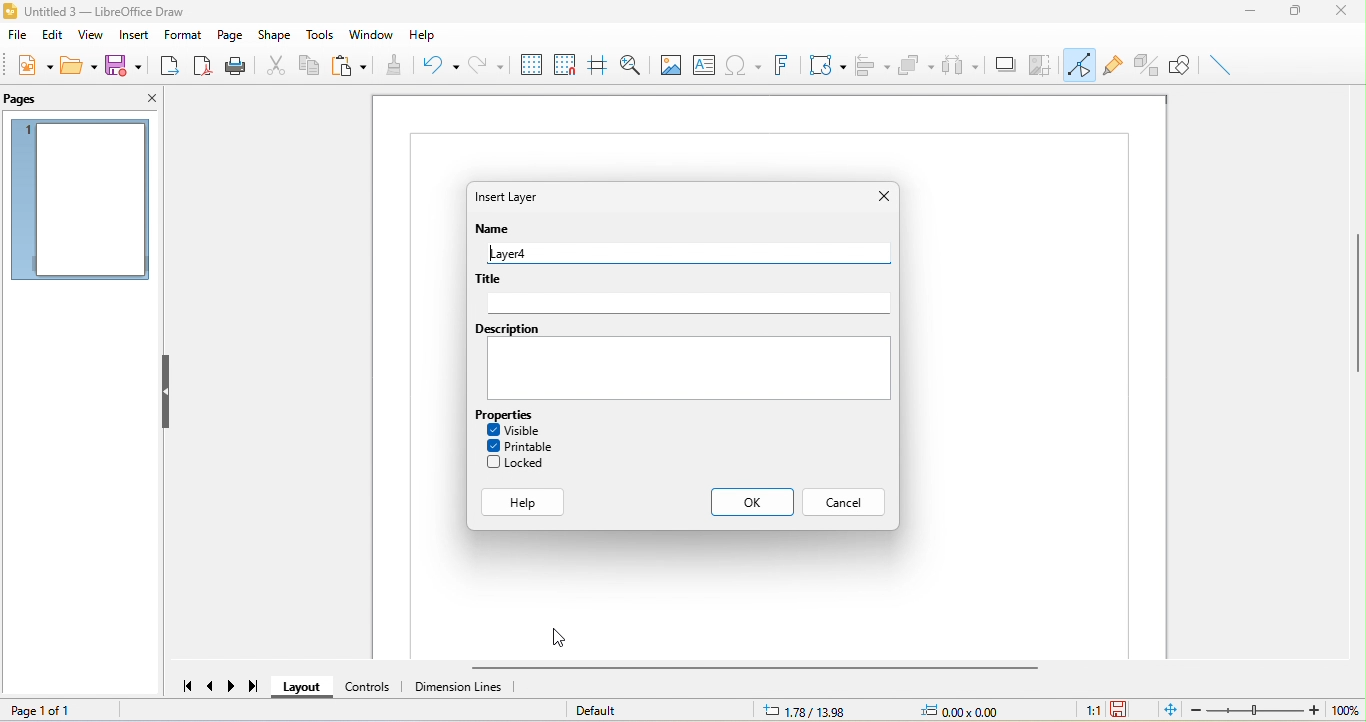 The width and height of the screenshot is (1366, 722). Describe the element at coordinates (741, 66) in the screenshot. I see `special character` at that location.